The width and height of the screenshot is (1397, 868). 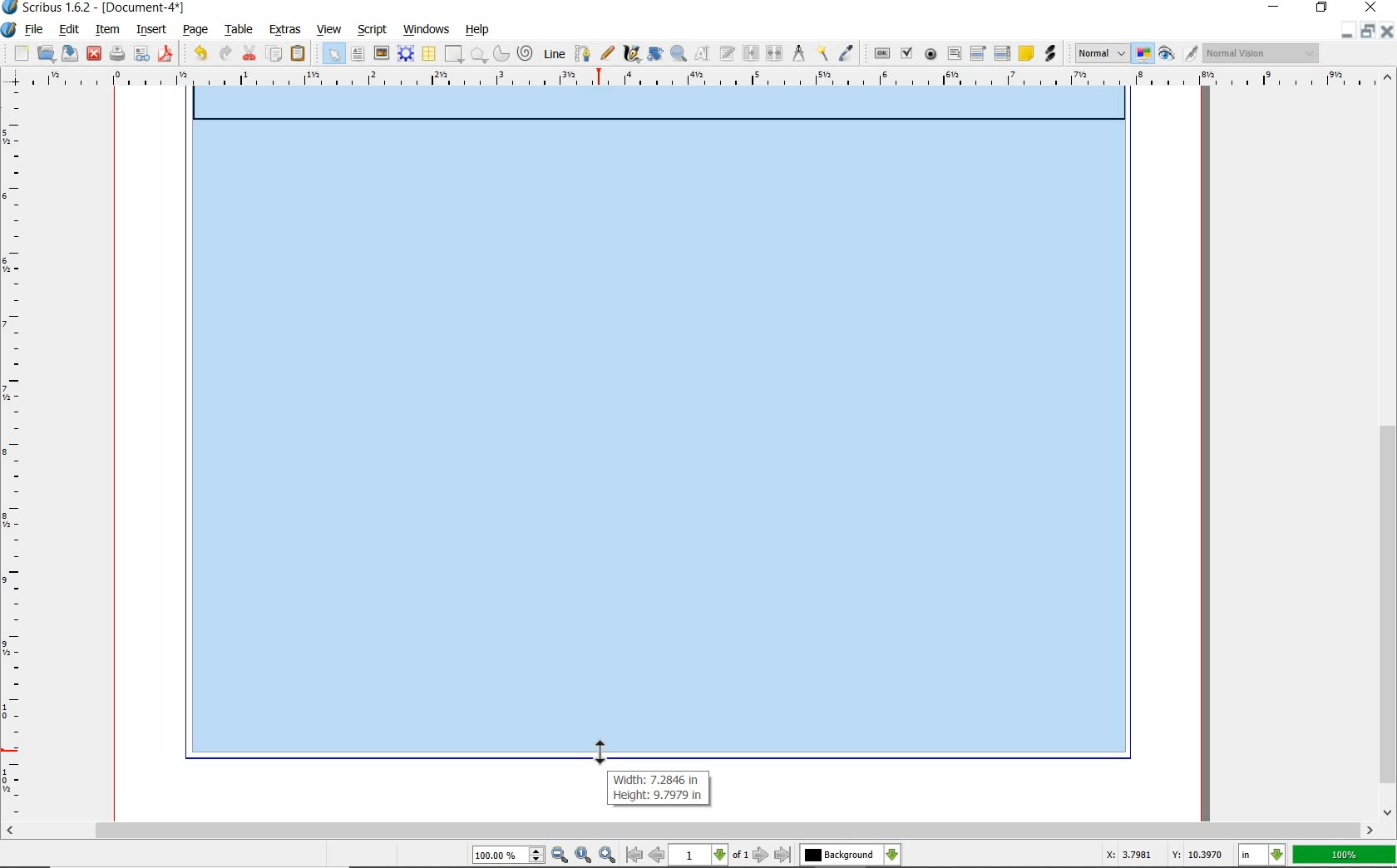 I want to click on X: 3.7981 Y: 10.3970, so click(x=1159, y=854).